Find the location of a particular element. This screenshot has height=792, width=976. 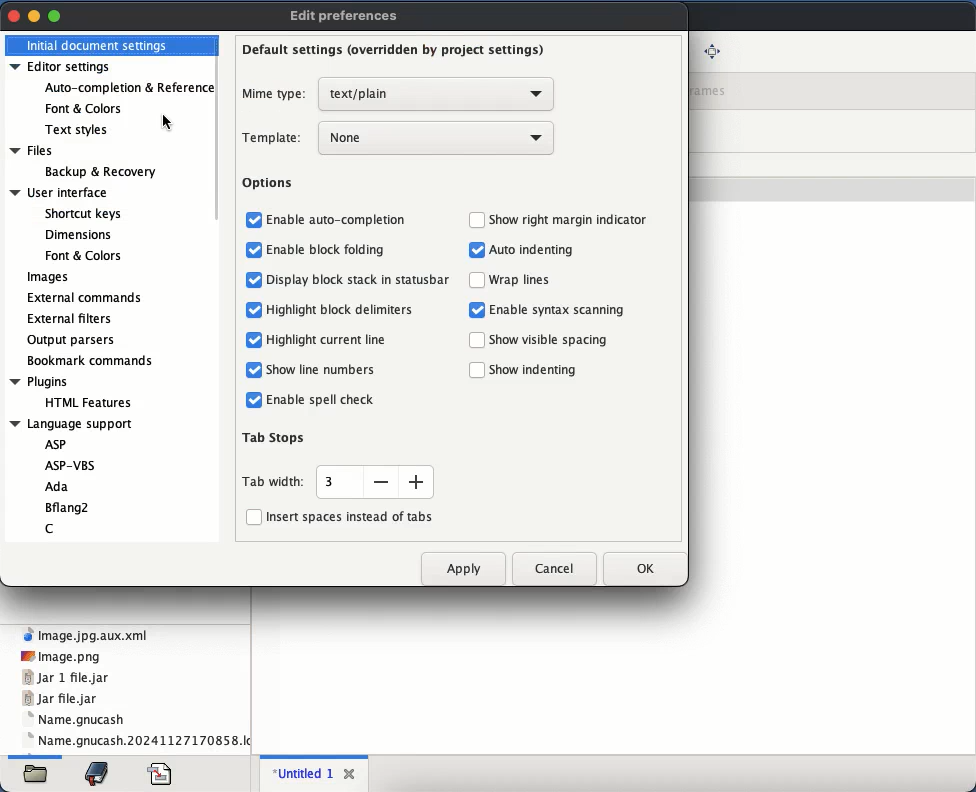

Language support is located at coordinates (72, 422).